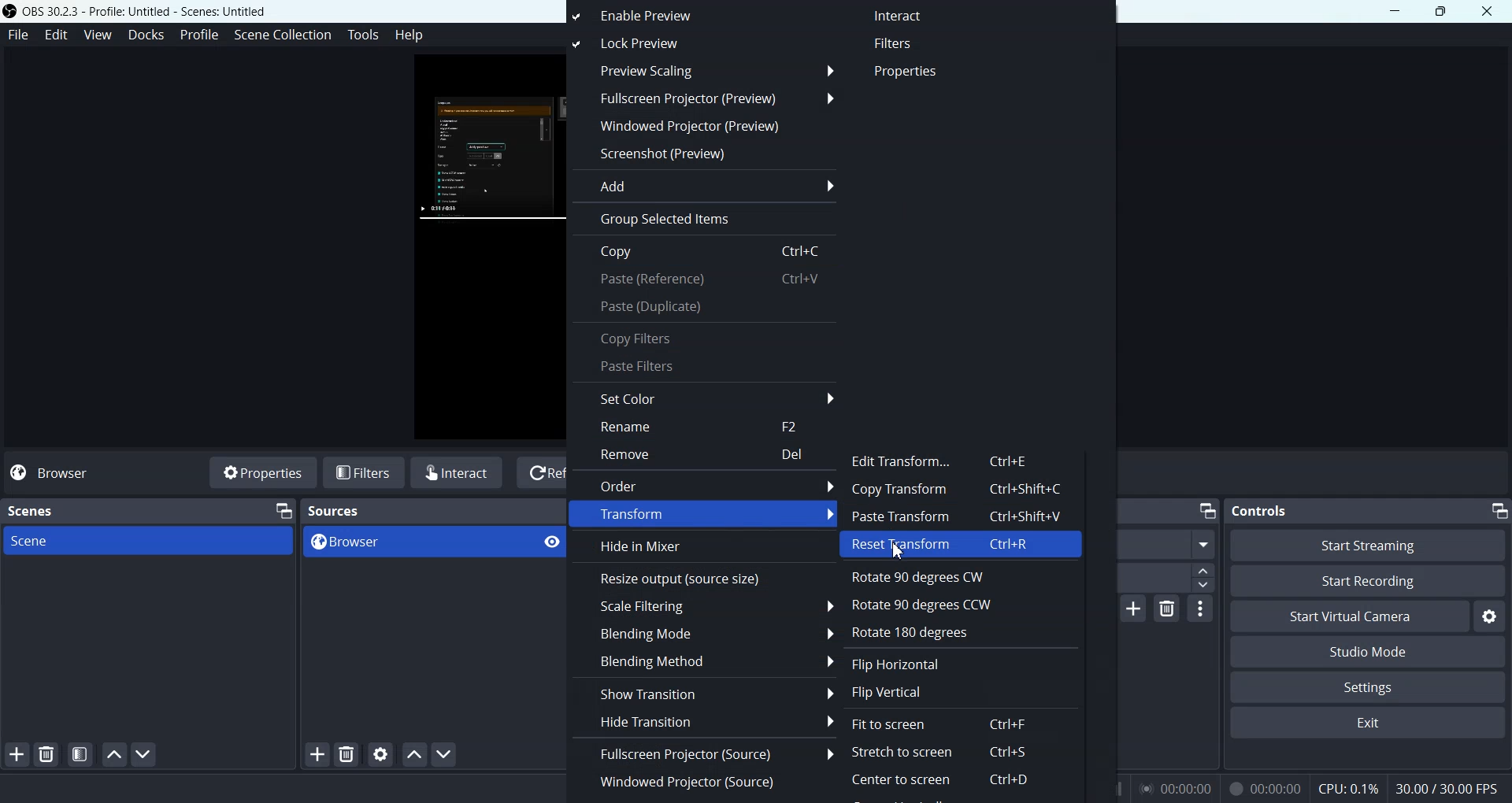 The width and height of the screenshot is (1512, 803). What do you see at coordinates (947, 459) in the screenshot?
I see `Edit Transform` at bounding box center [947, 459].